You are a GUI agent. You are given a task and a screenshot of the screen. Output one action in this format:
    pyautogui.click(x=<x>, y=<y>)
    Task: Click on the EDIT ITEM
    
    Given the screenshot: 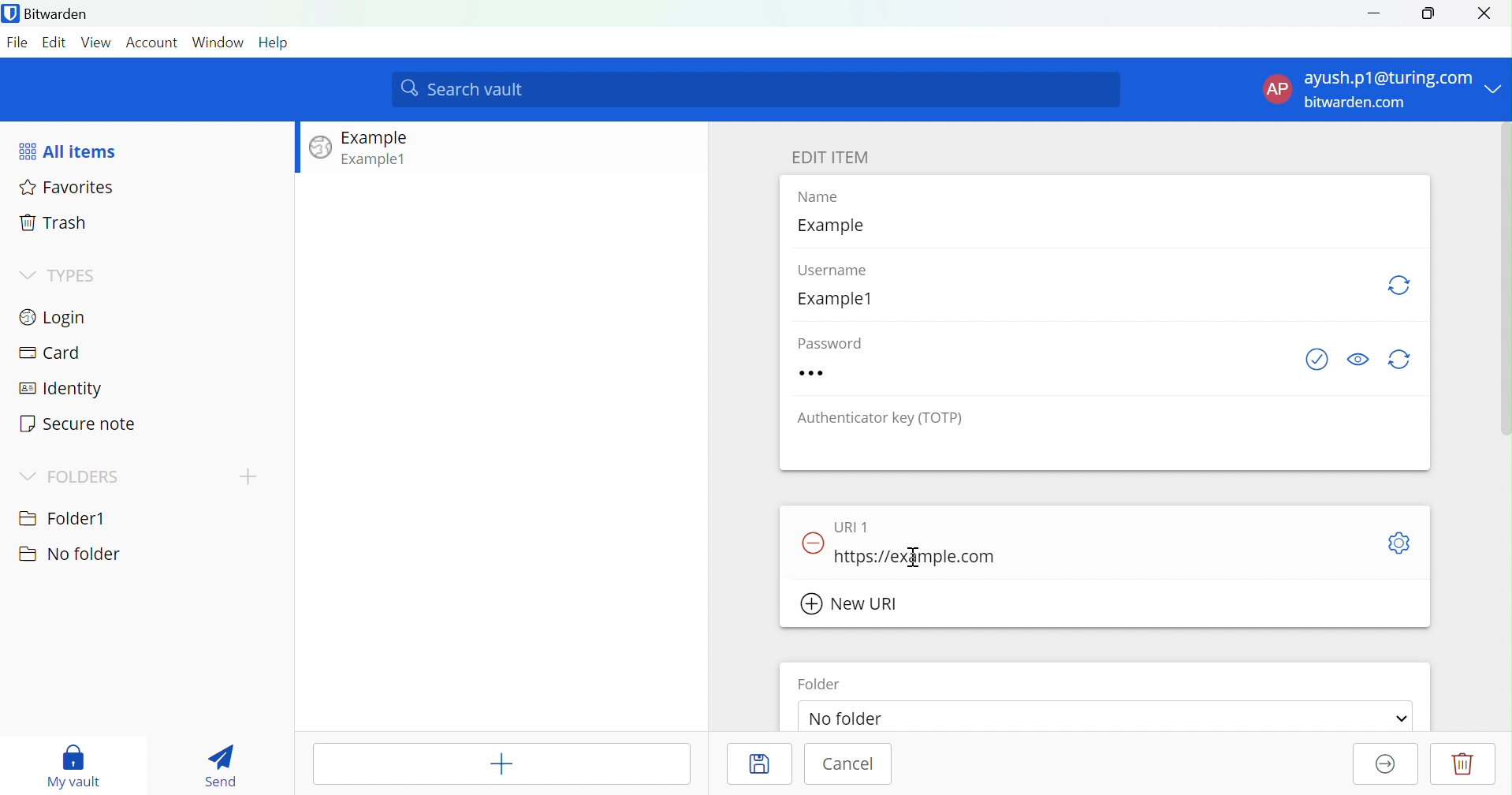 What is the action you would take?
    pyautogui.click(x=830, y=157)
    